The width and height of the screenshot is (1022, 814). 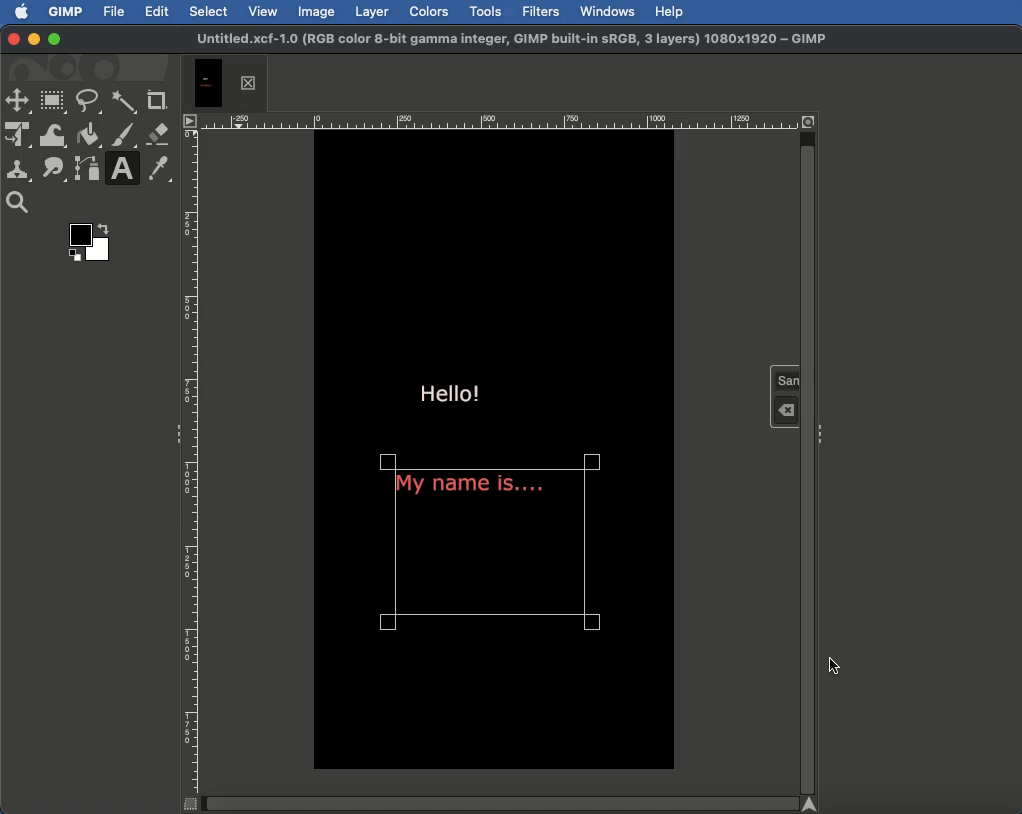 What do you see at coordinates (670, 12) in the screenshot?
I see `Help` at bounding box center [670, 12].